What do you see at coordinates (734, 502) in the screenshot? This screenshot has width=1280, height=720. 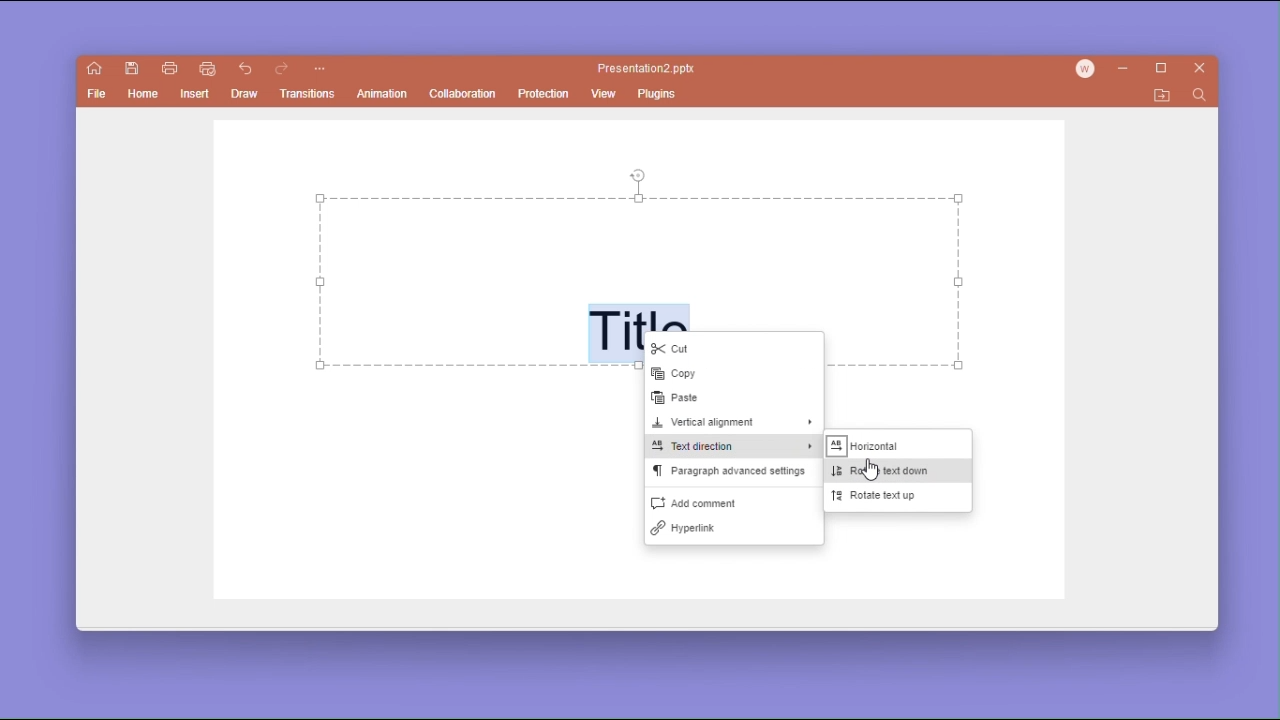 I see `add comment` at bounding box center [734, 502].